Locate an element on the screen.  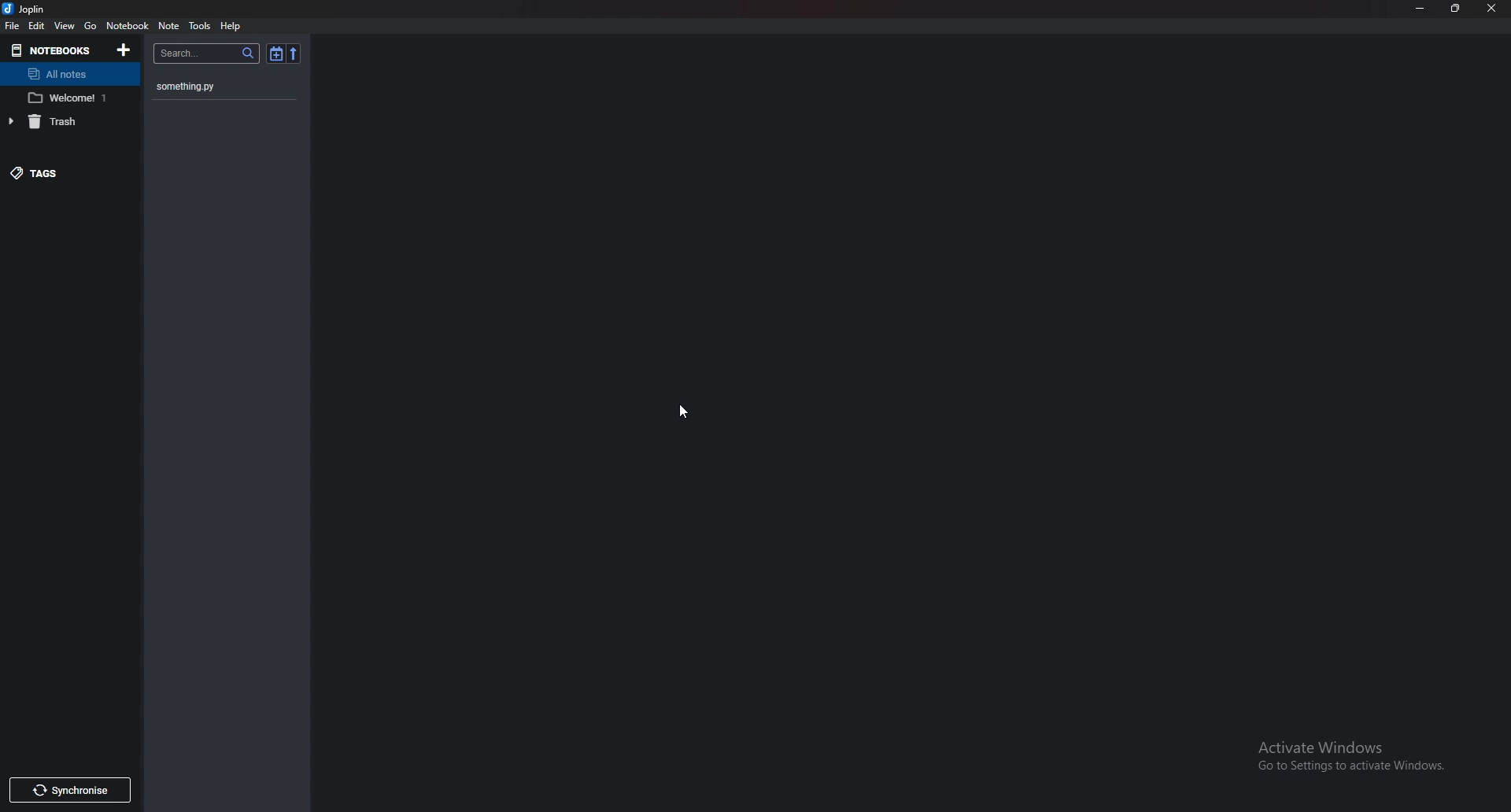
Notebook is located at coordinates (127, 27).